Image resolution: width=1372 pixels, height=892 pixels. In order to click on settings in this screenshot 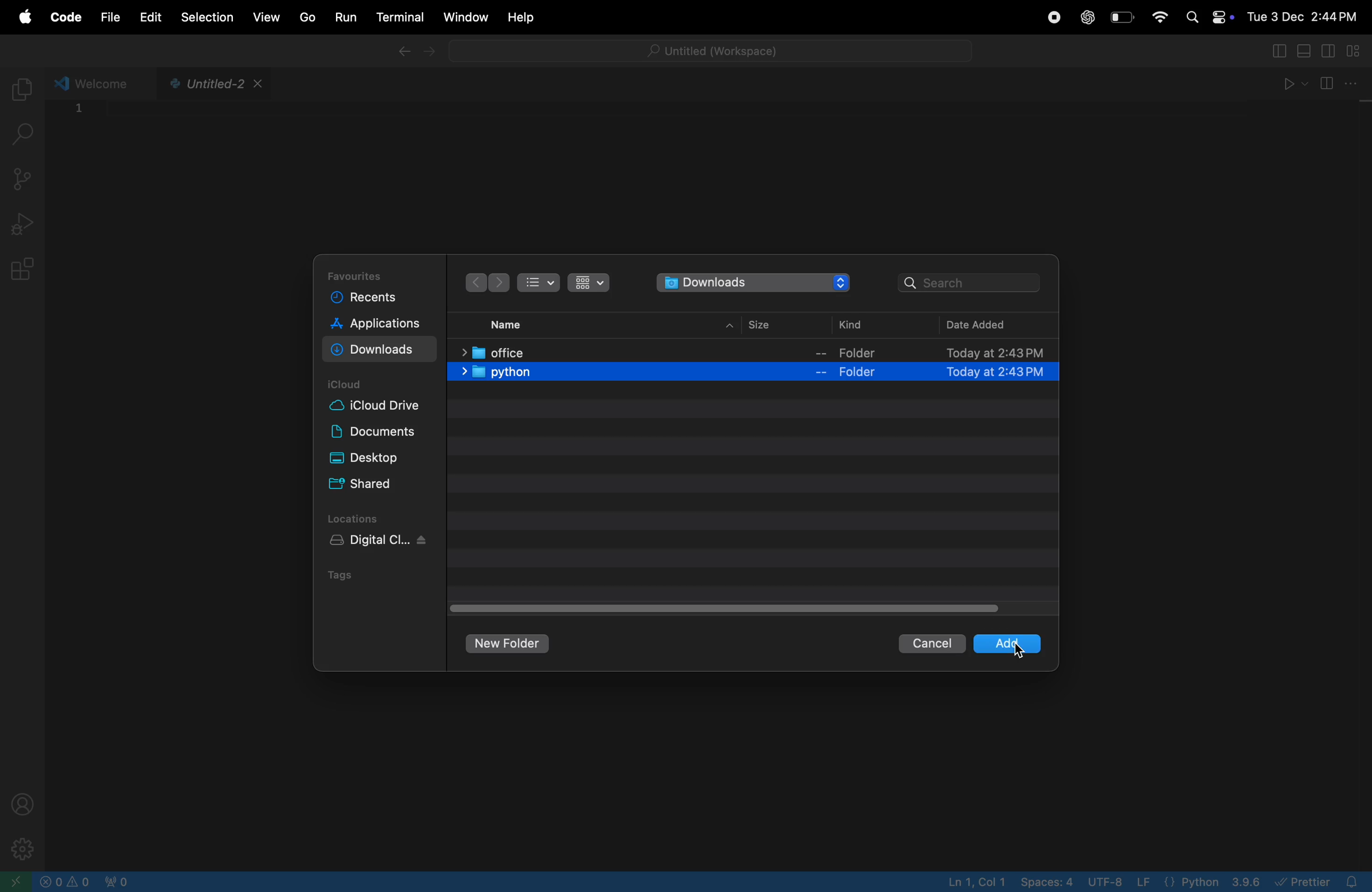, I will do `click(21, 848)`.